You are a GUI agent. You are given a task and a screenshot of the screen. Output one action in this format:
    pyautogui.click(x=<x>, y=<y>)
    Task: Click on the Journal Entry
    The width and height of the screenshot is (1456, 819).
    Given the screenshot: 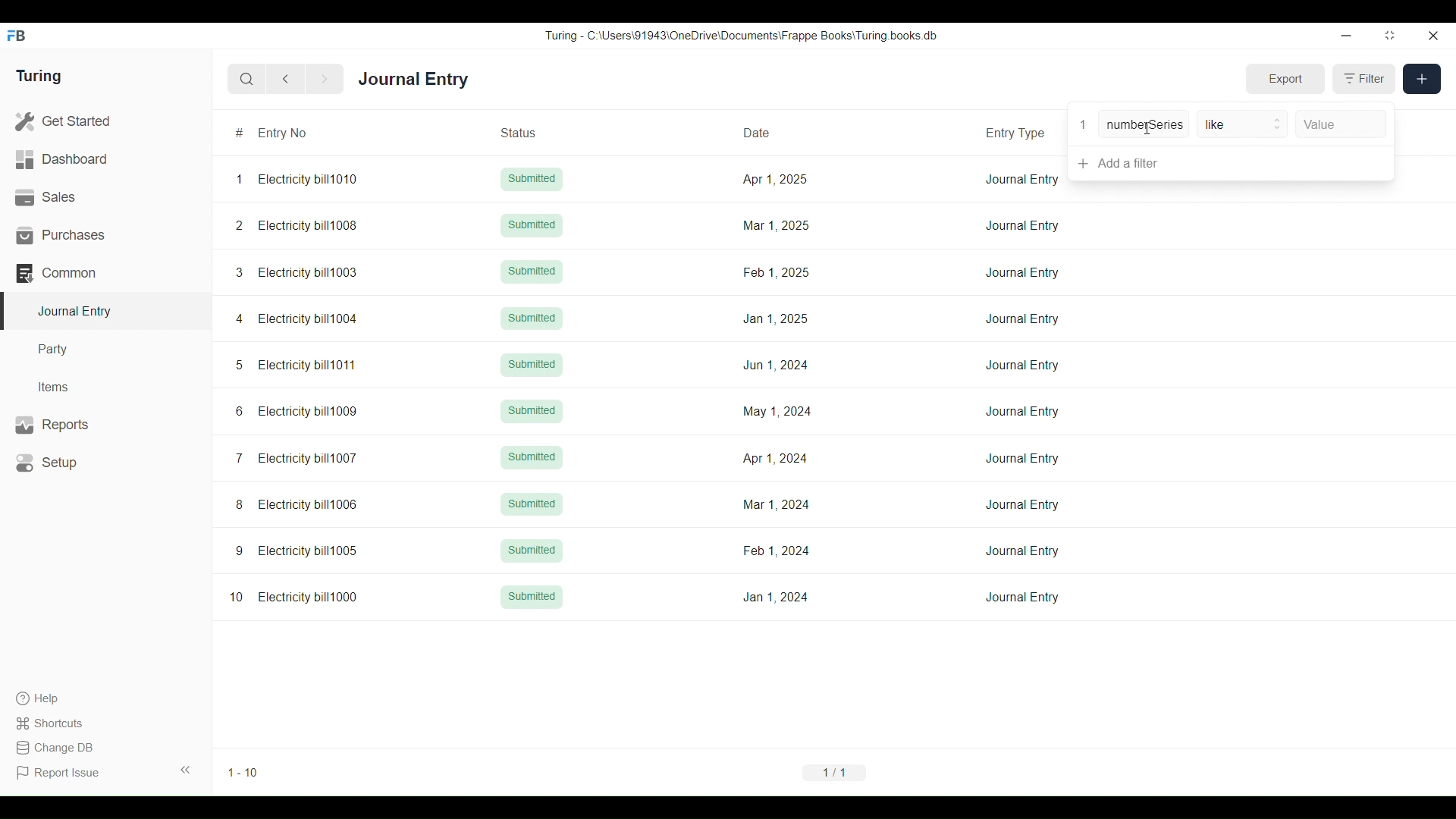 What is the action you would take?
    pyautogui.click(x=1024, y=272)
    